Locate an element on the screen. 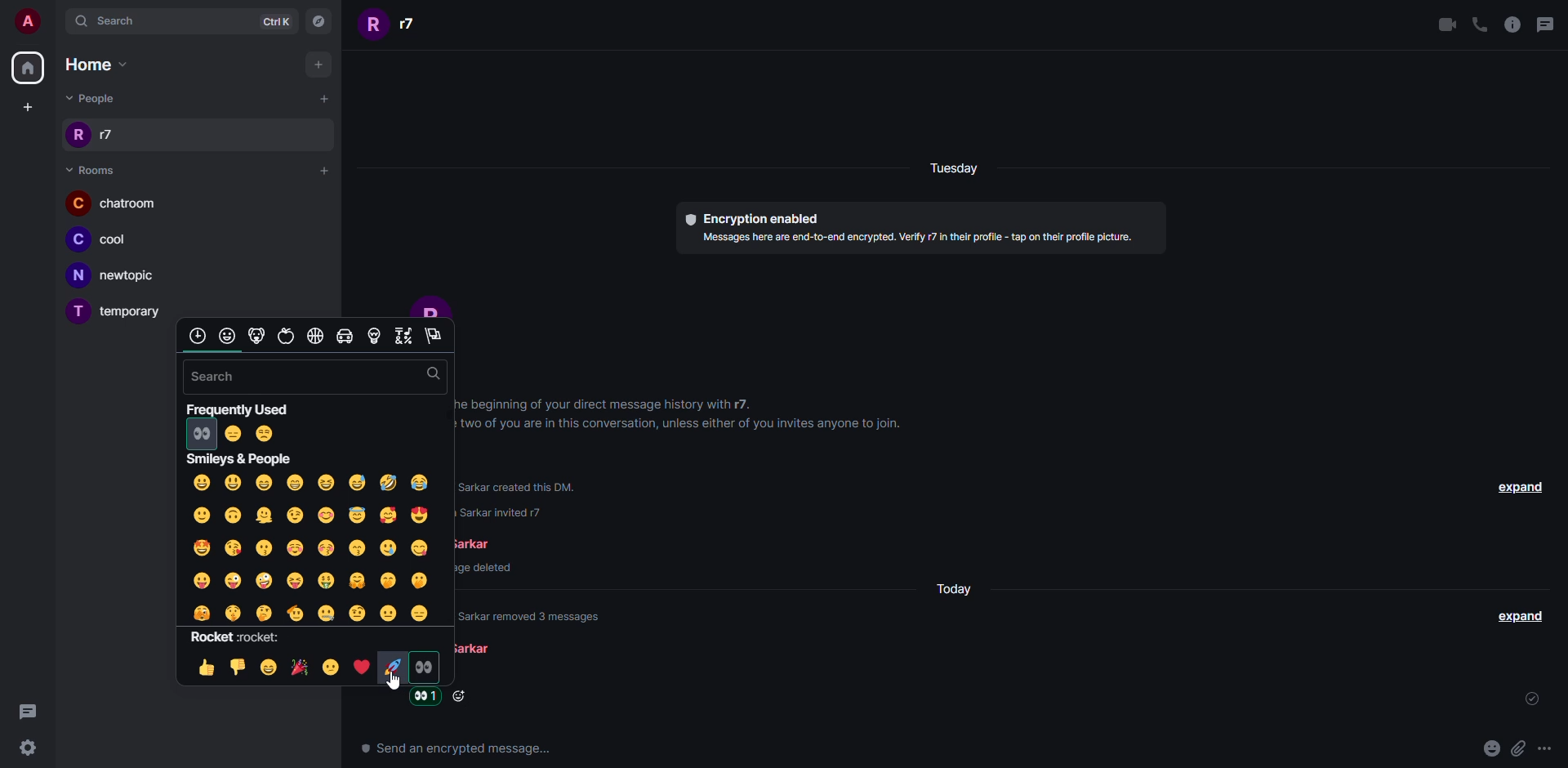  add is located at coordinates (322, 100).